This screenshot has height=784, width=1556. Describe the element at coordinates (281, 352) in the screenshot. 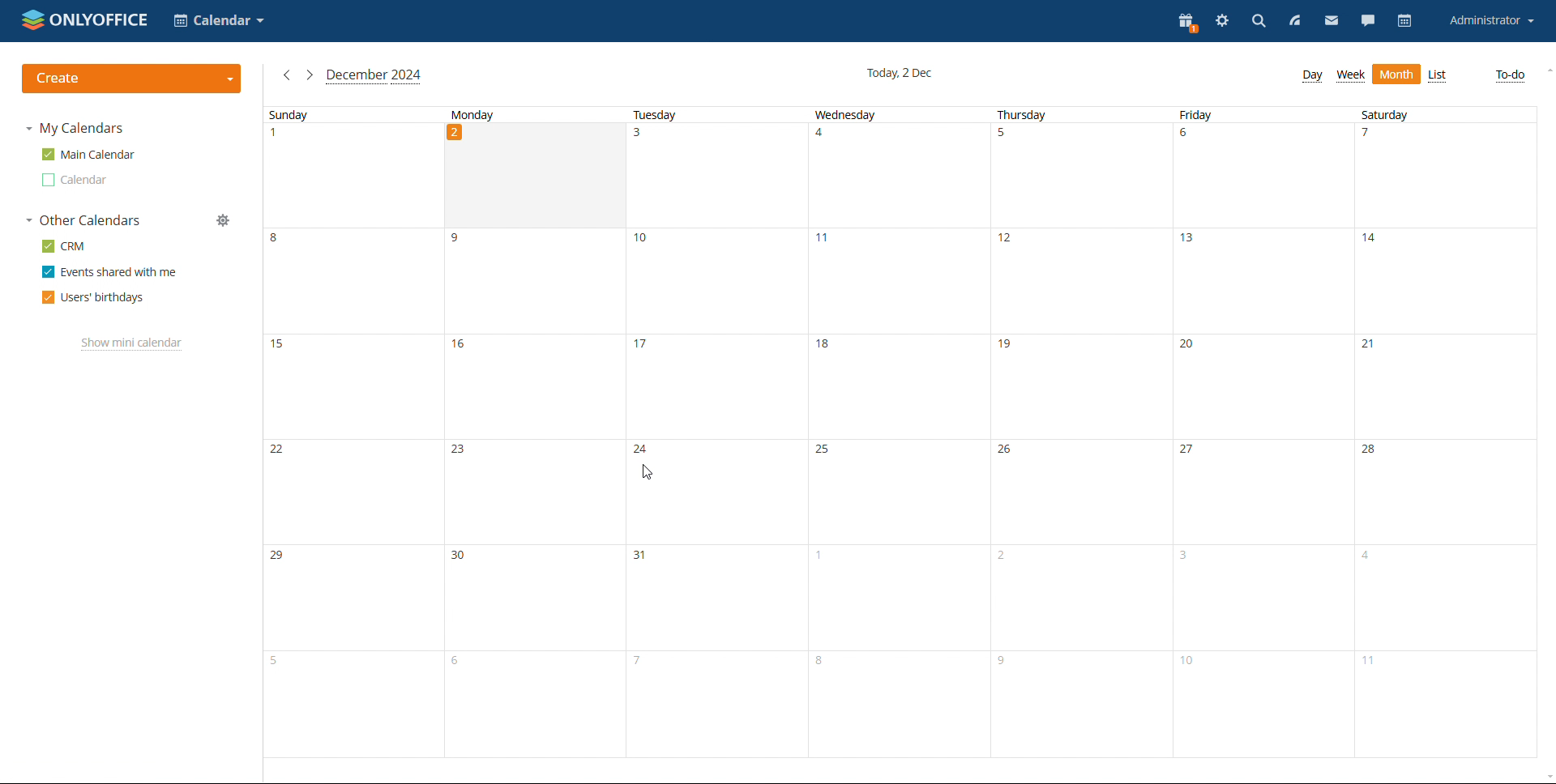

I see `15` at that location.